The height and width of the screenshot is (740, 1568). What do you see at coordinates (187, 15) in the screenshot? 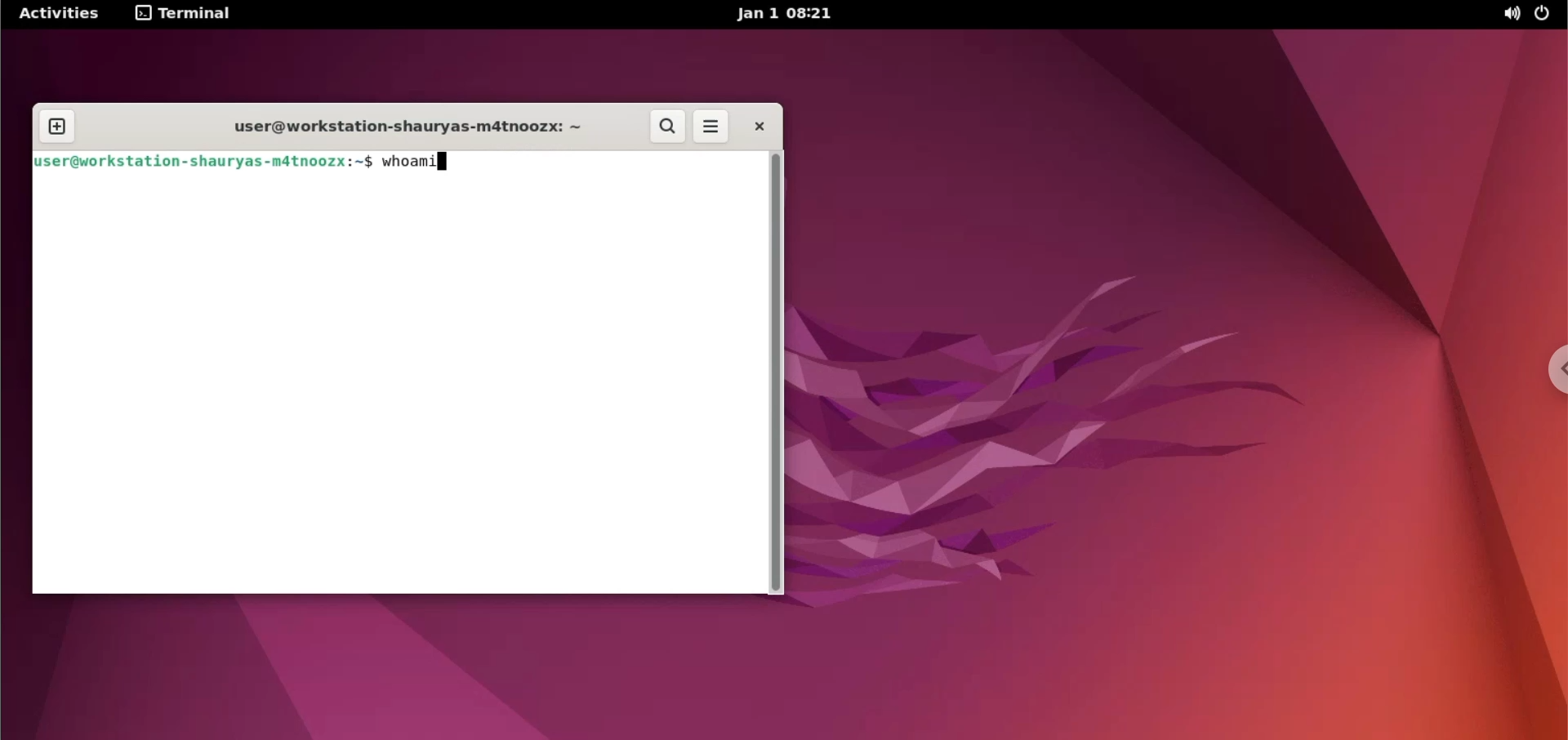
I see `terminal` at bounding box center [187, 15].